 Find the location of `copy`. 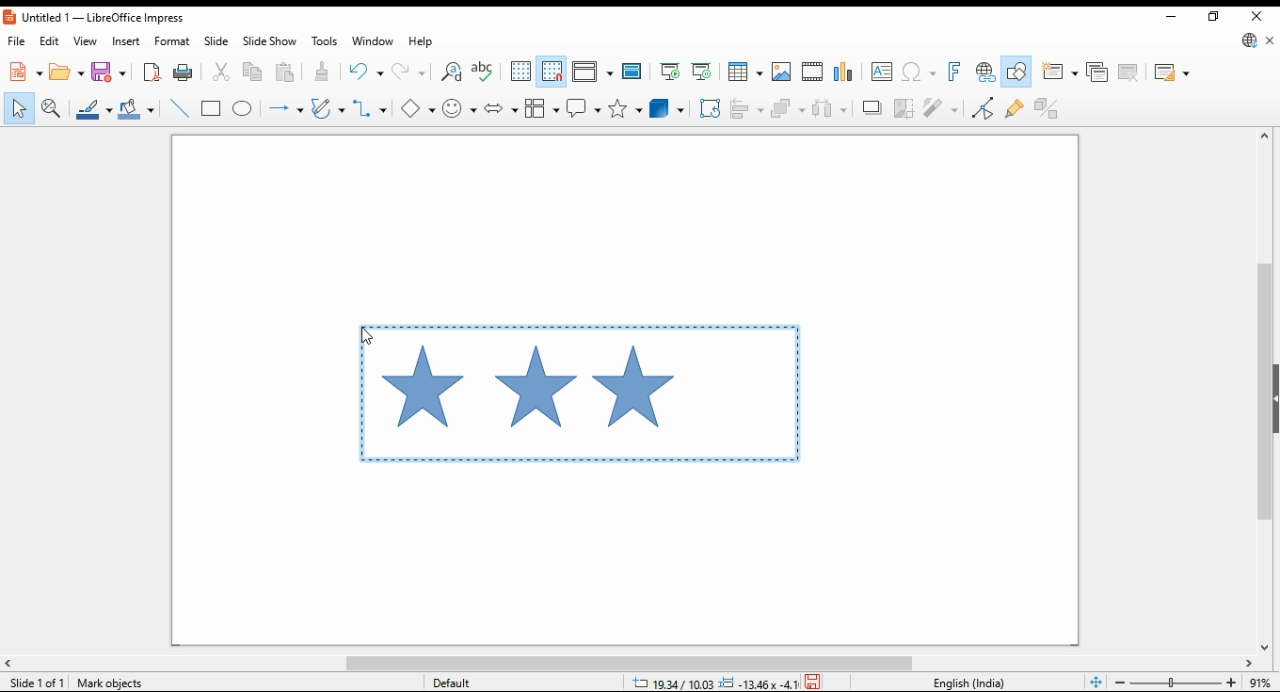

copy is located at coordinates (257, 72).